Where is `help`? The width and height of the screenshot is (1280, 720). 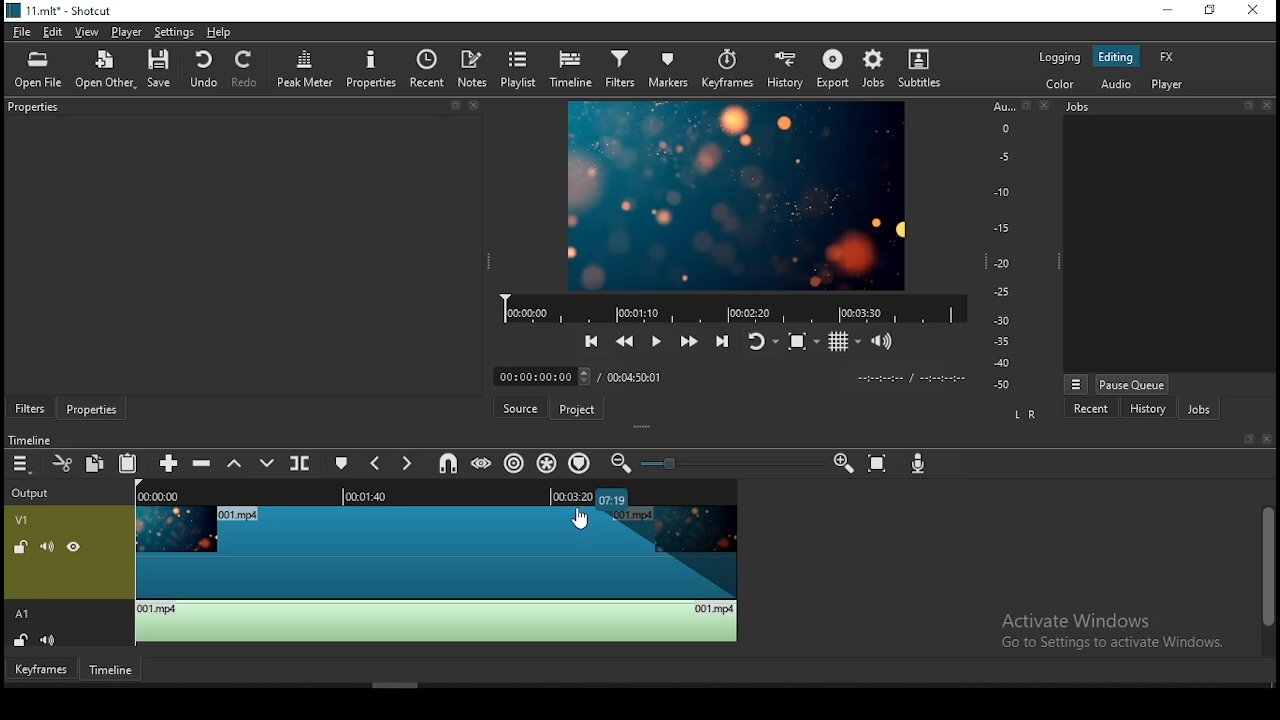 help is located at coordinates (223, 32).